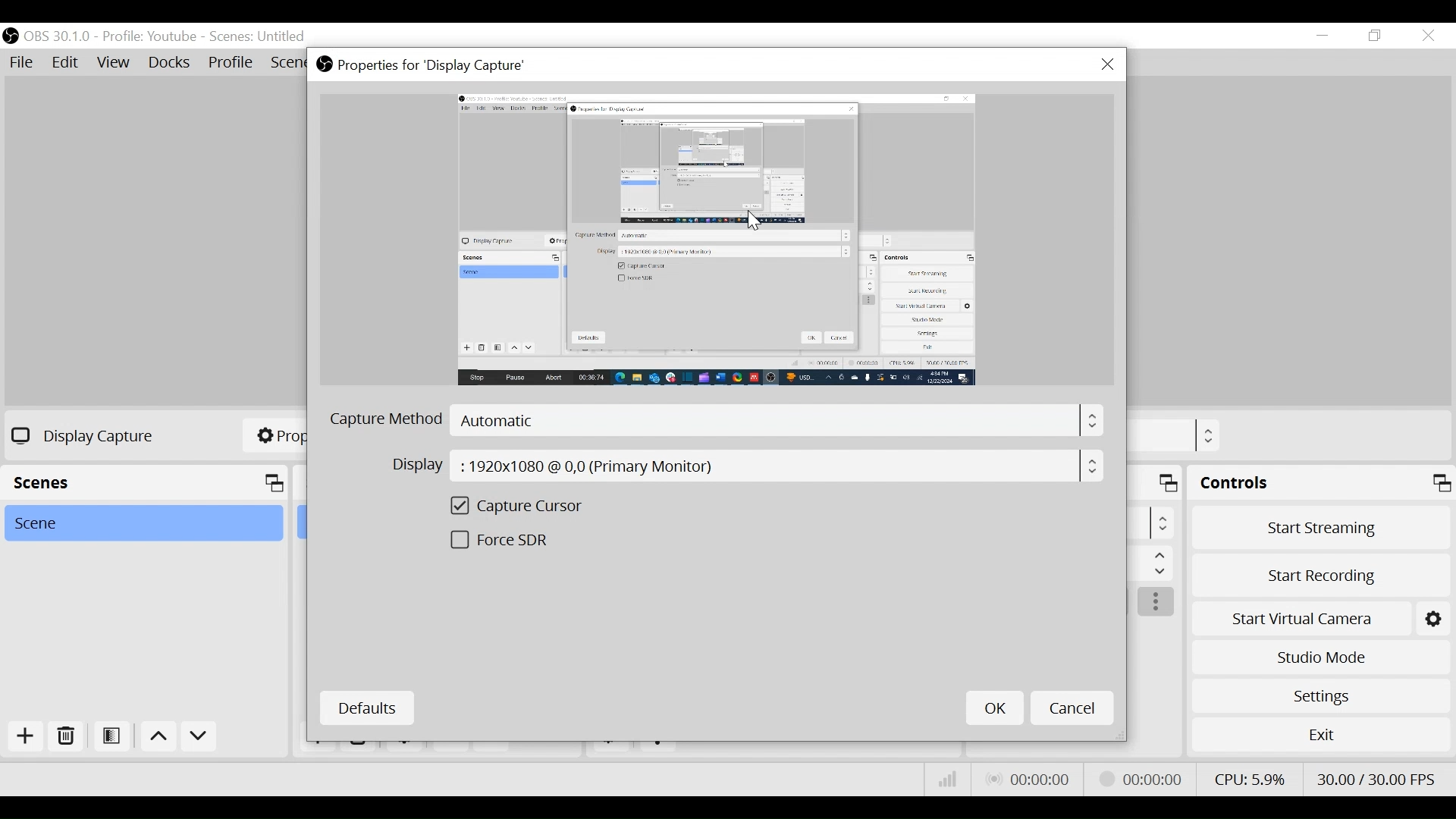  Describe the element at coordinates (1320, 734) in the screenshot. I see `Exit` at that location.